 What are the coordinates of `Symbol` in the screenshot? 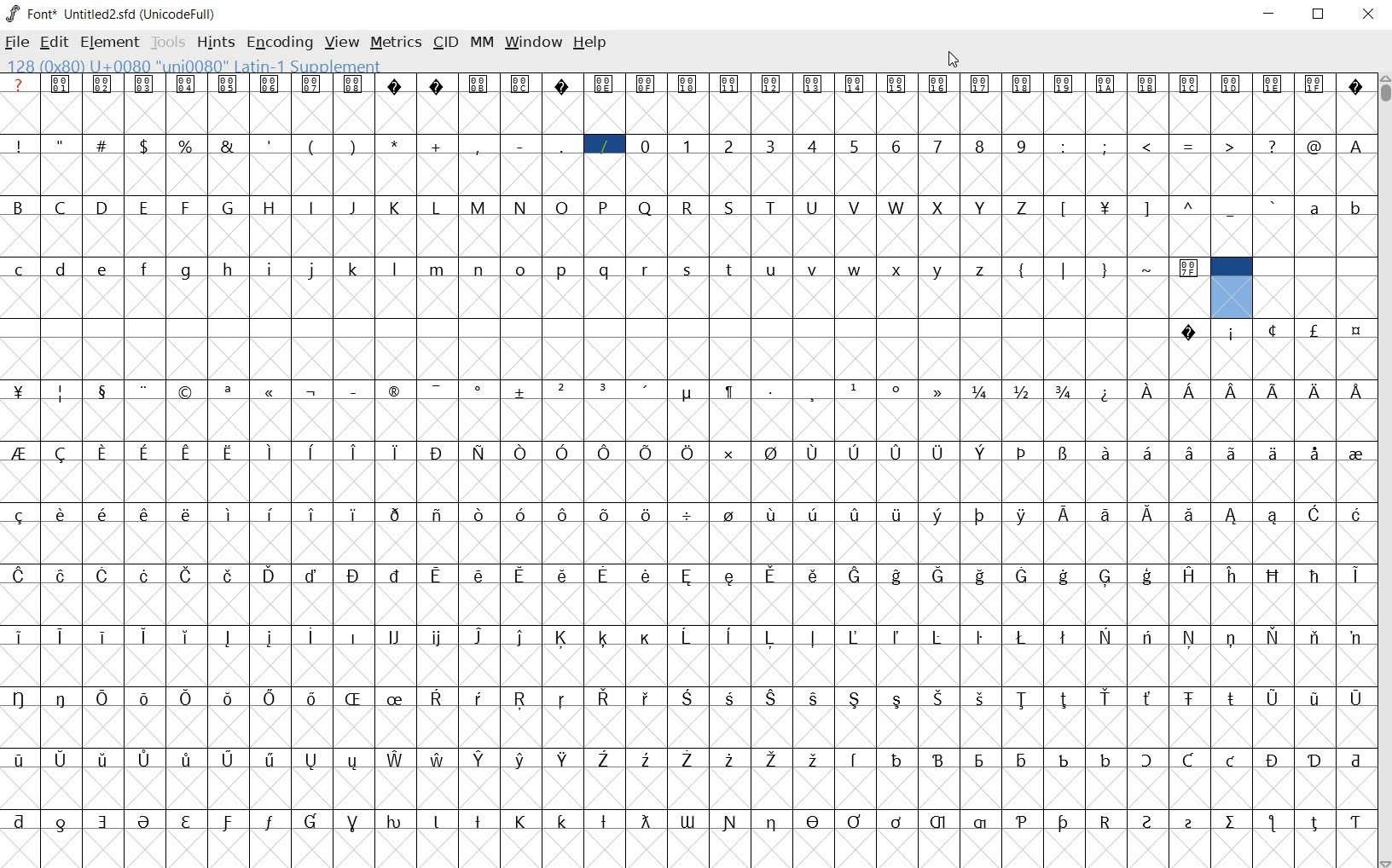 It's located at (356, 513).